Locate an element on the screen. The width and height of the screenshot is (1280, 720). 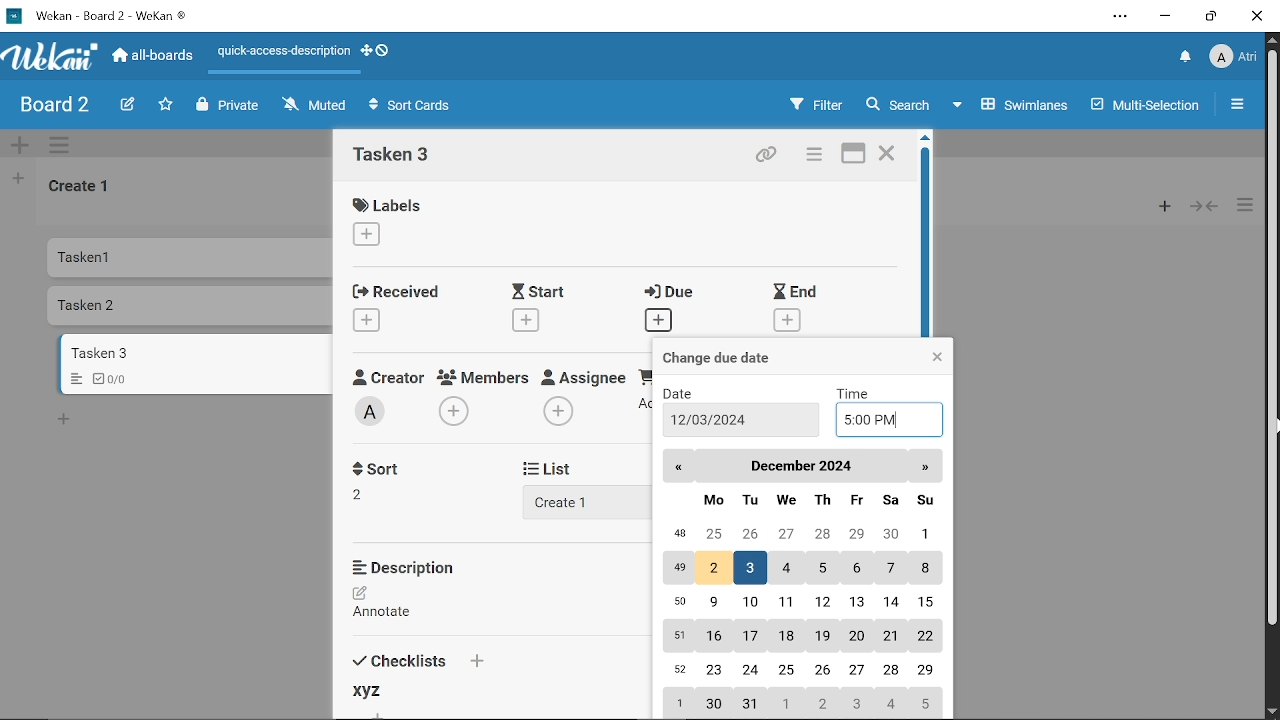
Current month is located at coordinates (800, 467).